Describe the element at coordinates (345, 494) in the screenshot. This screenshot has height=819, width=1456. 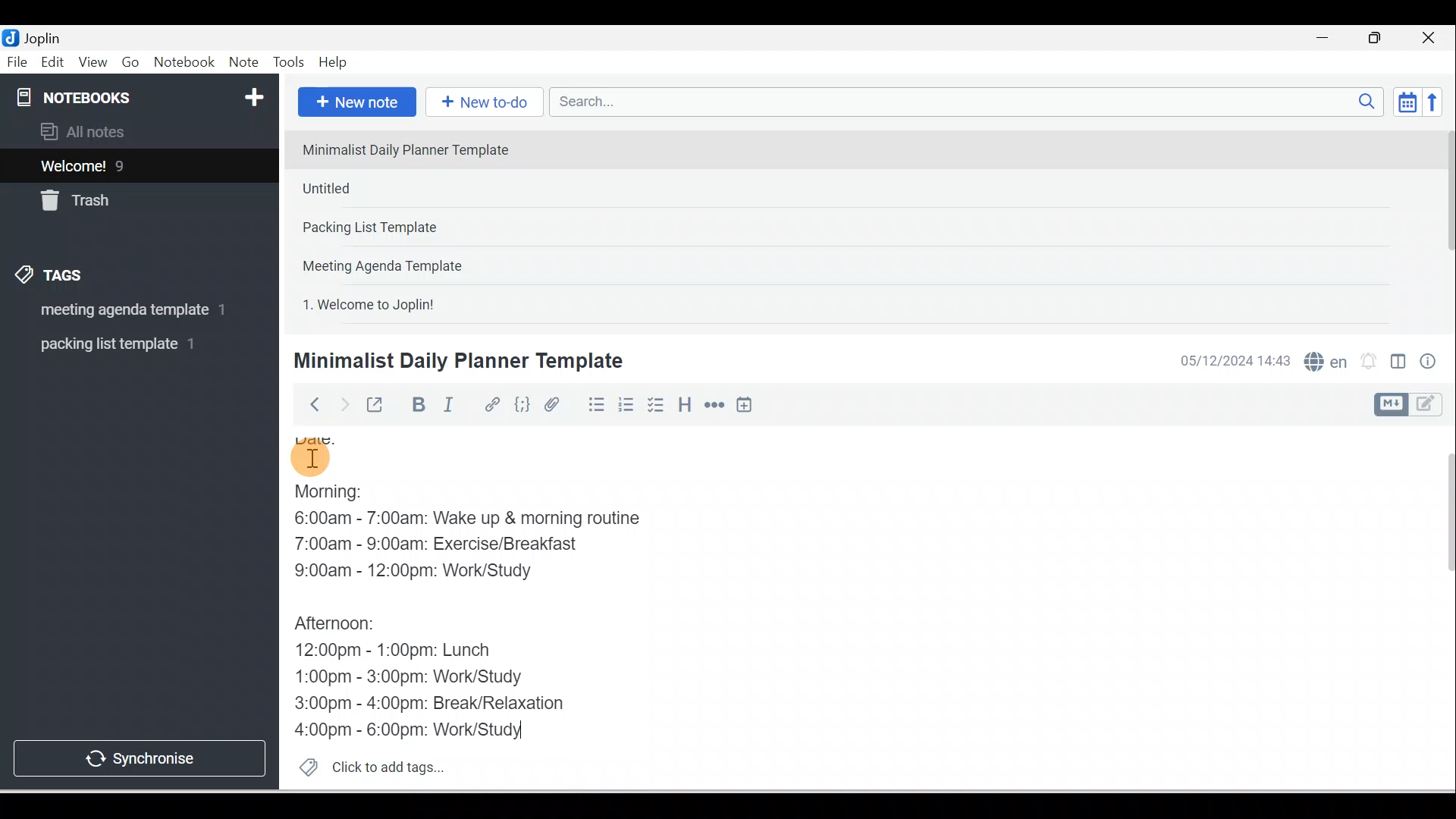
I see `Morning:` at that location.